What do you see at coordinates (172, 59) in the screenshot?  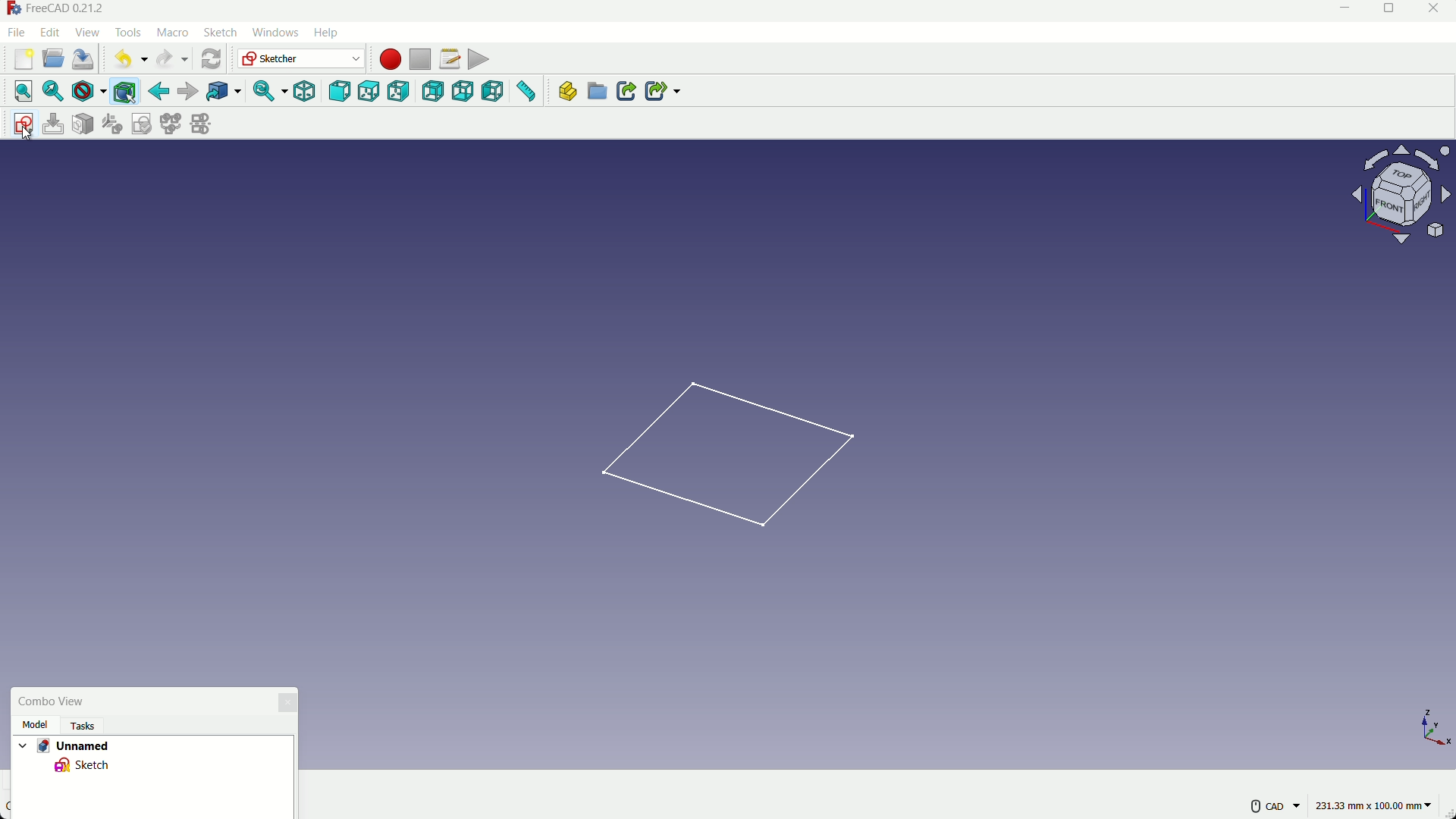 I see `redo` at bounding box center [172, 59].